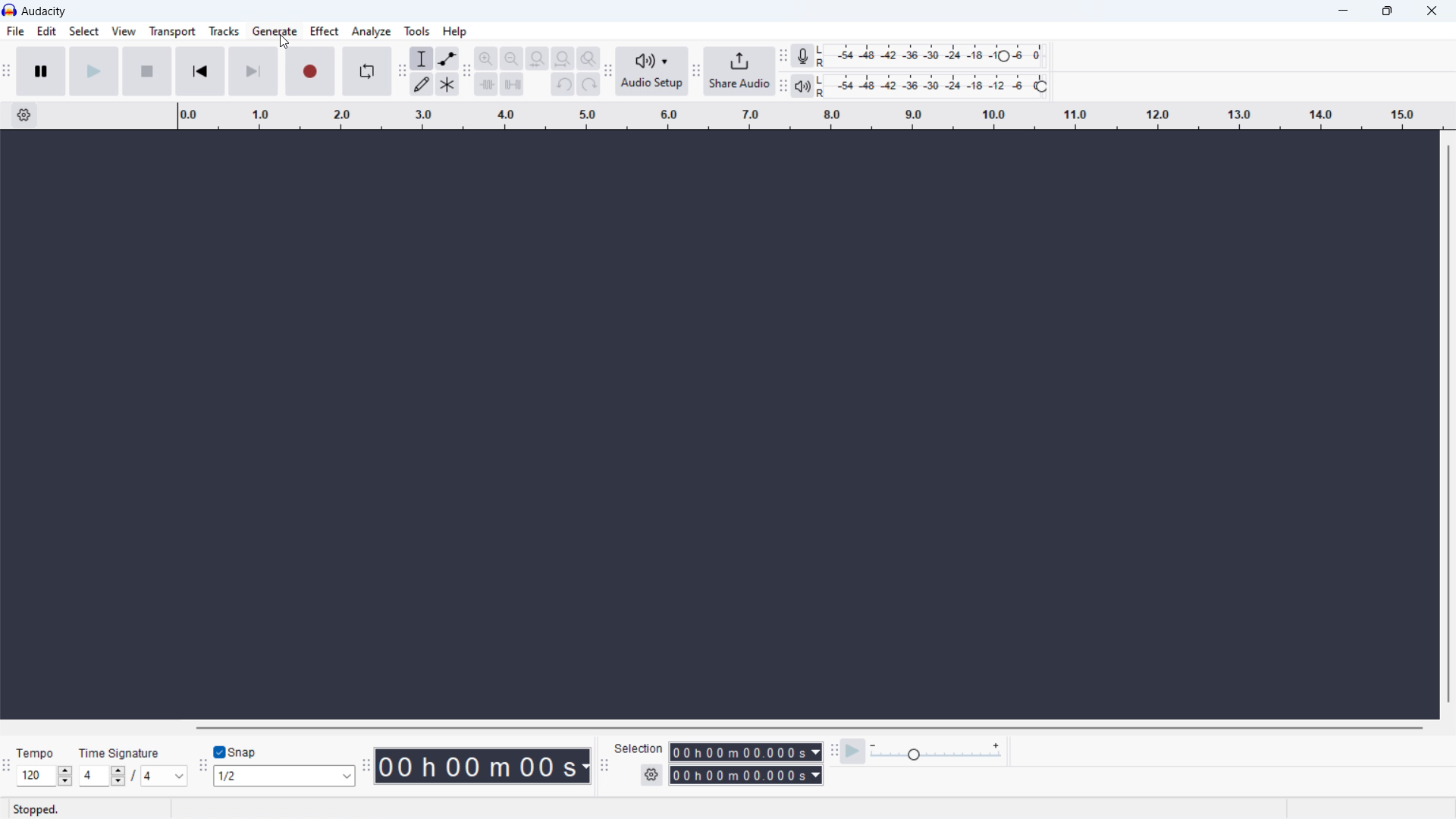 The height and width of the screenshot is (819, 1456). Describe the element at coordinates (811, 117) in the screenshot. I see `timeline` at that location.